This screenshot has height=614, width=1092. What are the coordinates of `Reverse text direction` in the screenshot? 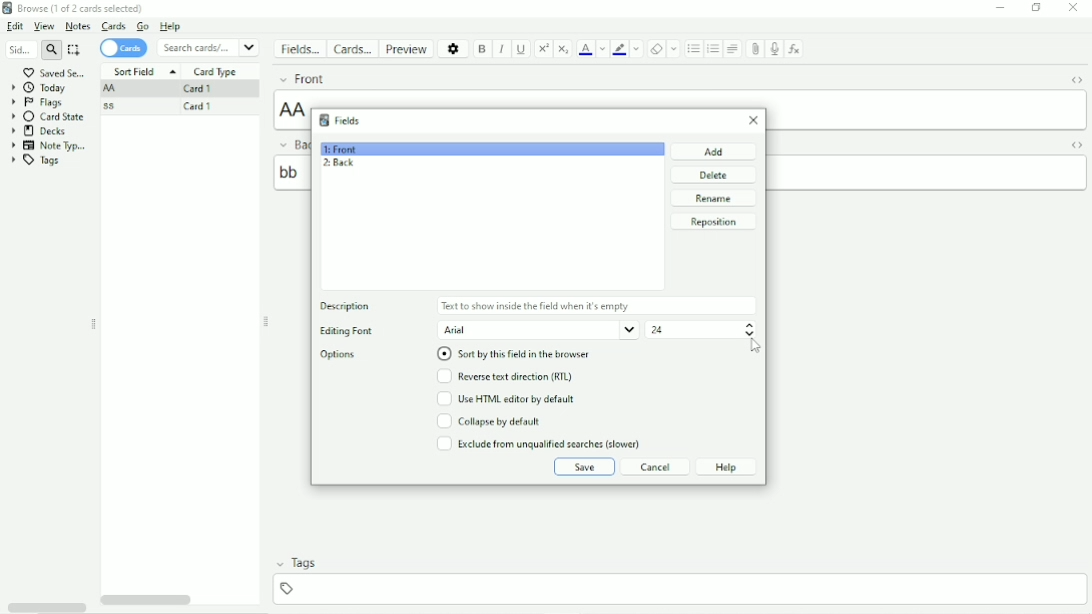 It's located at (509, 377).